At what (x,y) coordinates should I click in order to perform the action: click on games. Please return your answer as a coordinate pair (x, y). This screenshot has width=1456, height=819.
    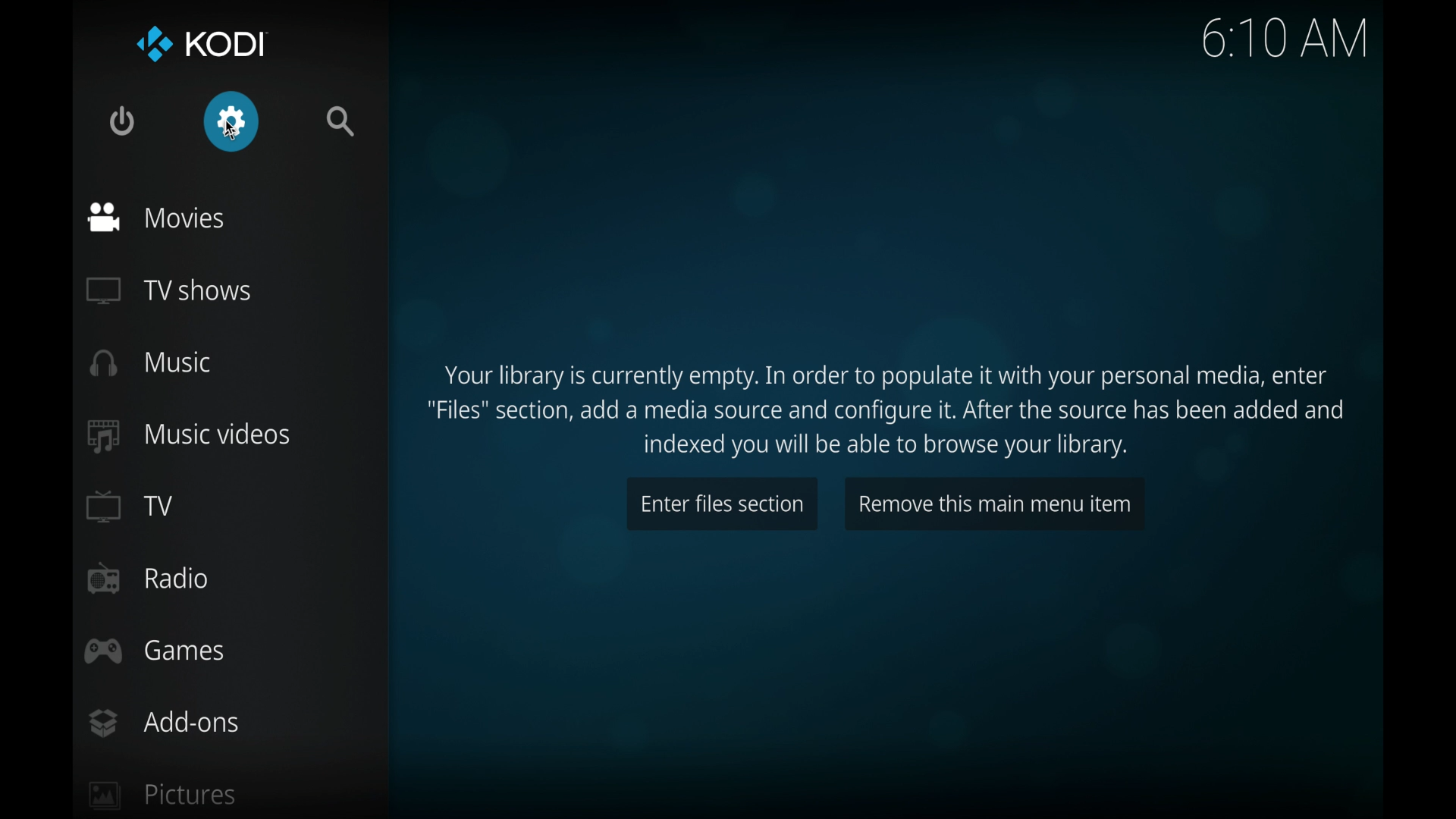
    Looking at the image, I should click on (156, 650).